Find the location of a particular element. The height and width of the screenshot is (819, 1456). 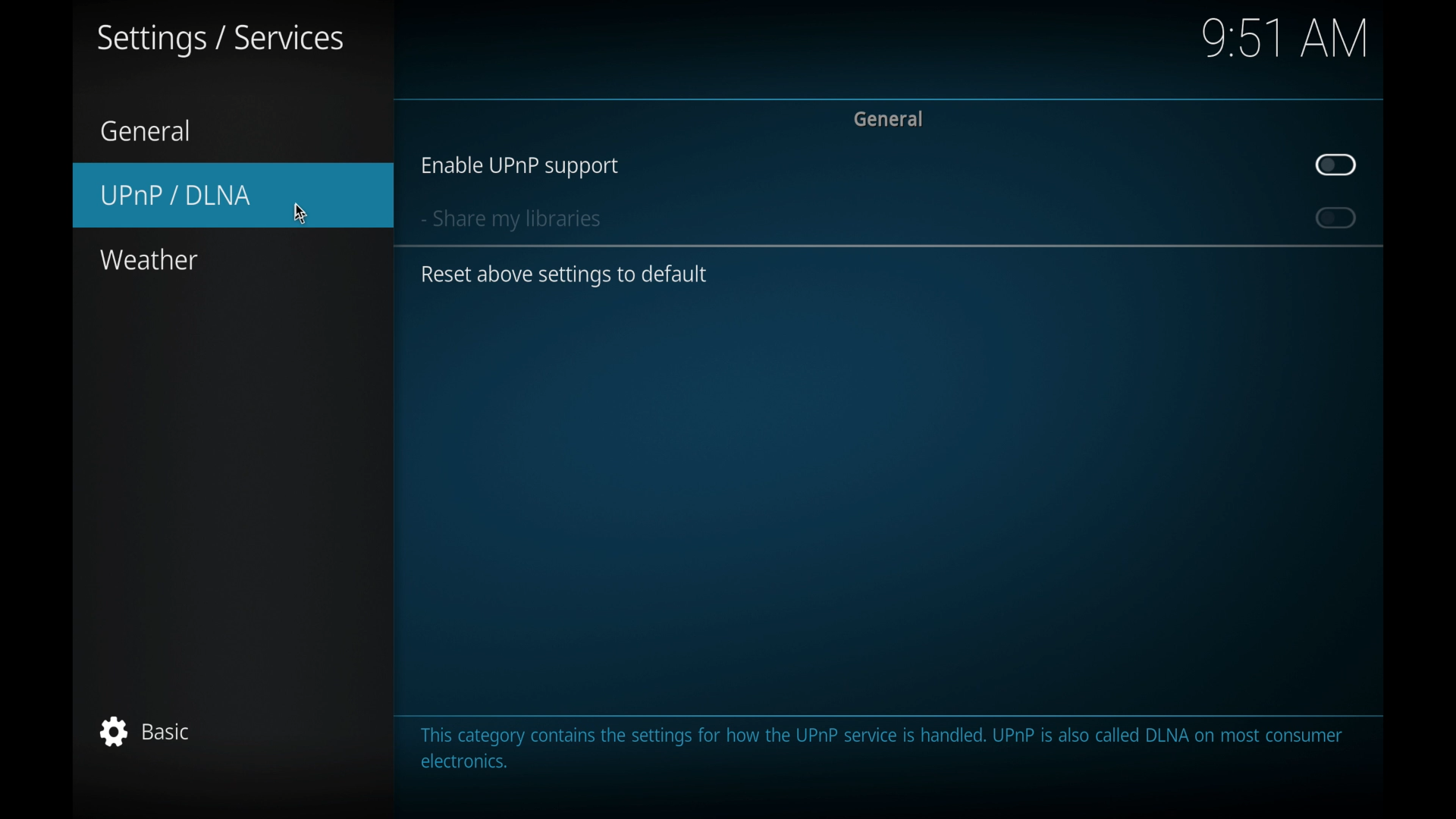

enable UPnPsupport is located at coordinates (519, 166).